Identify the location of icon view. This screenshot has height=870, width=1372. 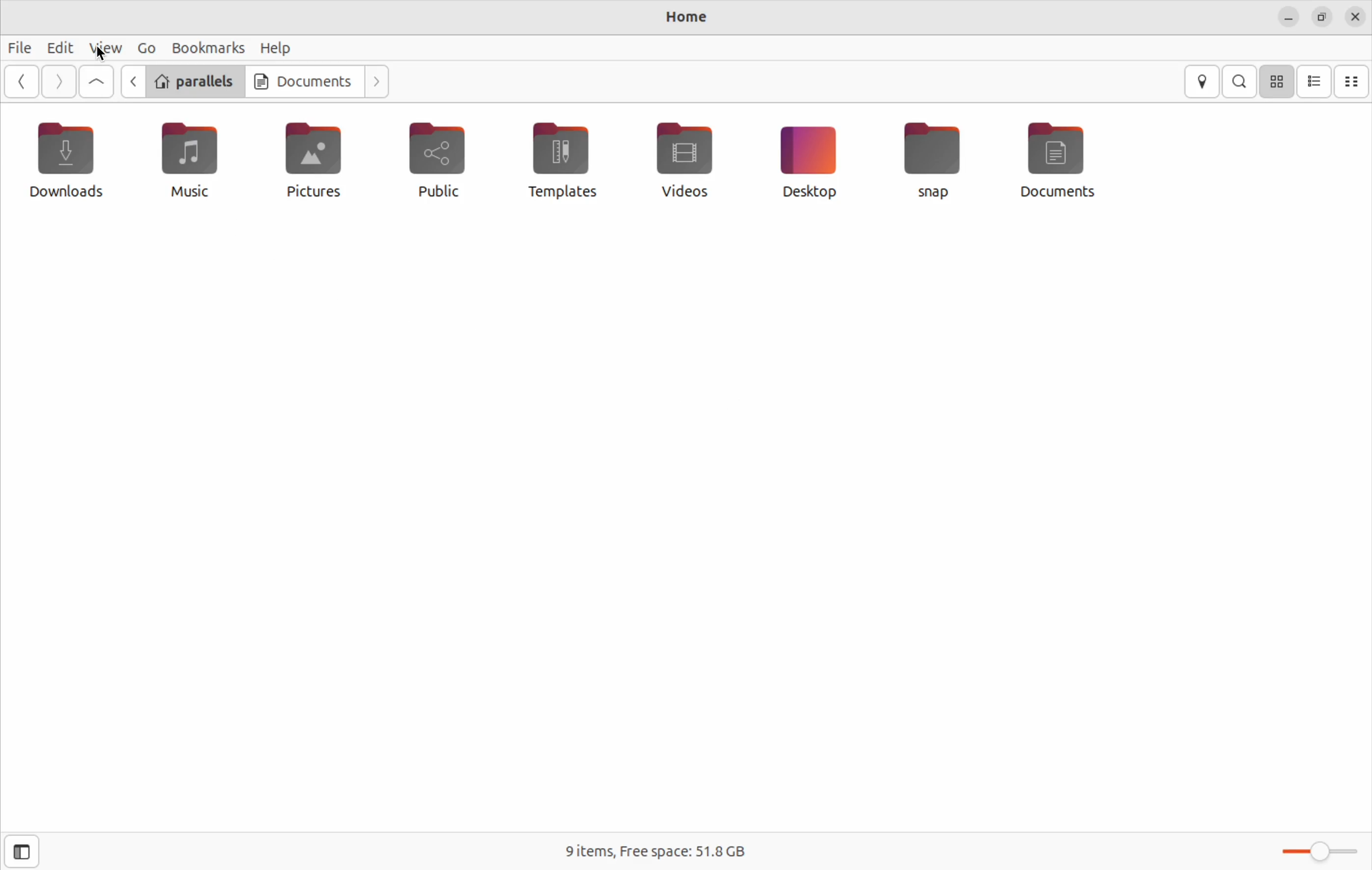
(1315, 81).